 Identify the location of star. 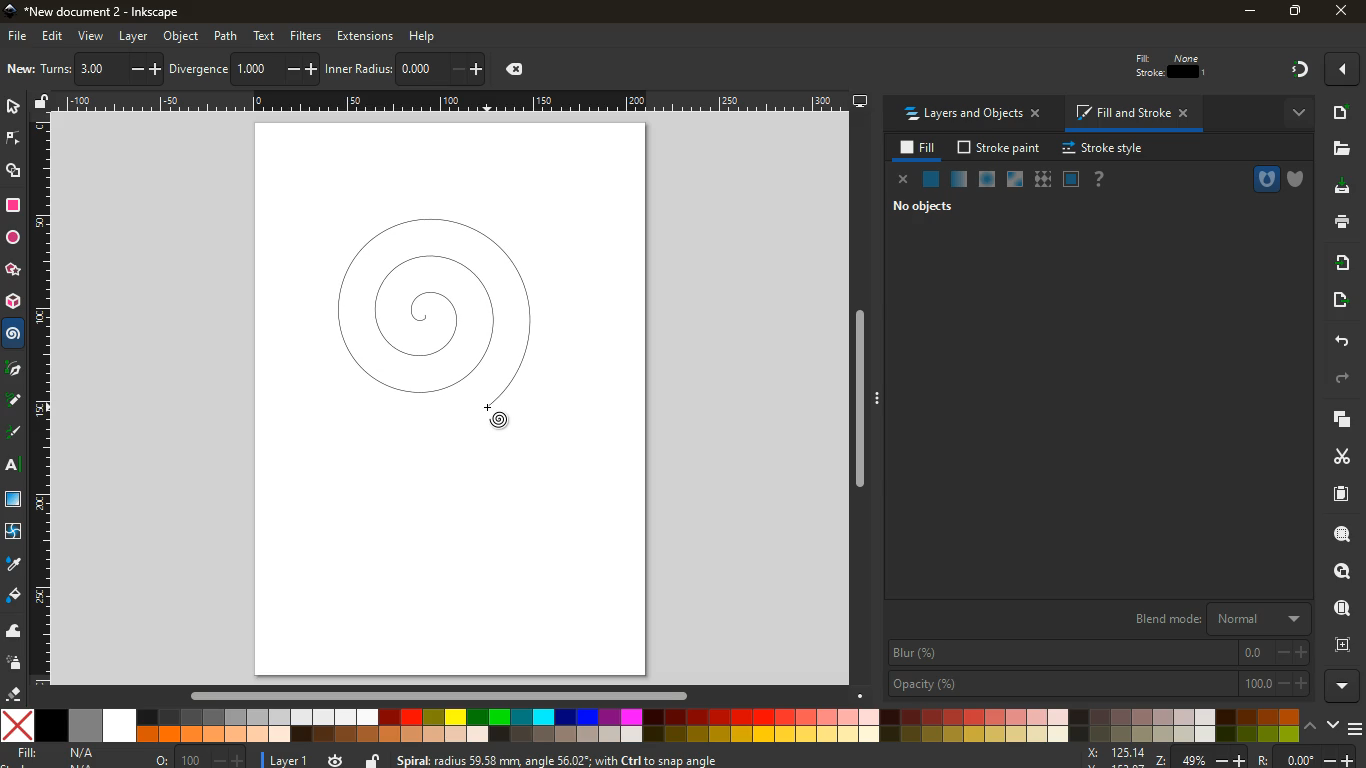
(11, 270).